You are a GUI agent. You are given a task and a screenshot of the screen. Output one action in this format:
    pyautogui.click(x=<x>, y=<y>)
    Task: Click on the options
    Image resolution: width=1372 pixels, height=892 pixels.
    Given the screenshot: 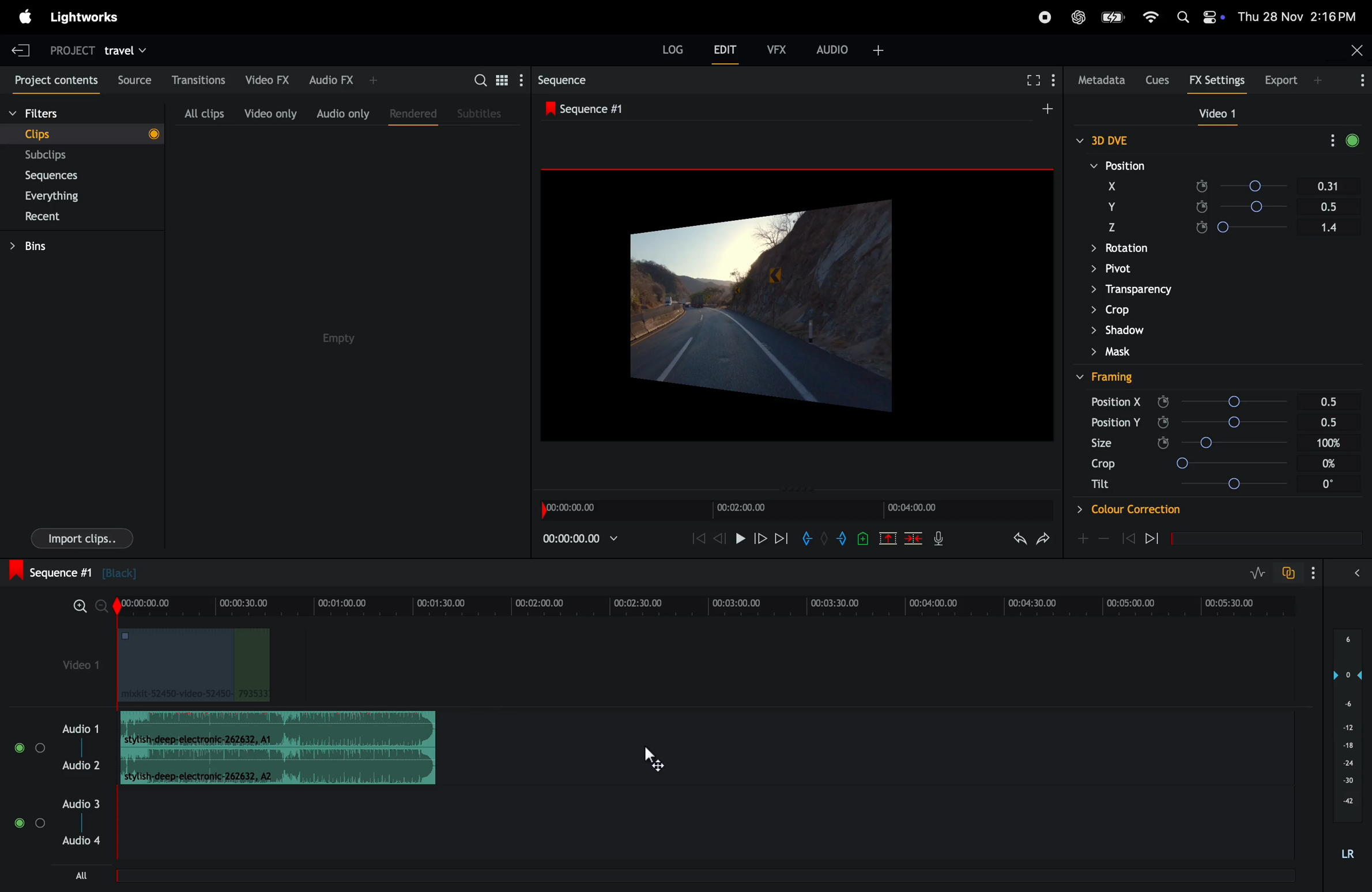 What is the action you would take?
    pyautogui.click(x=1354, y=82)
    